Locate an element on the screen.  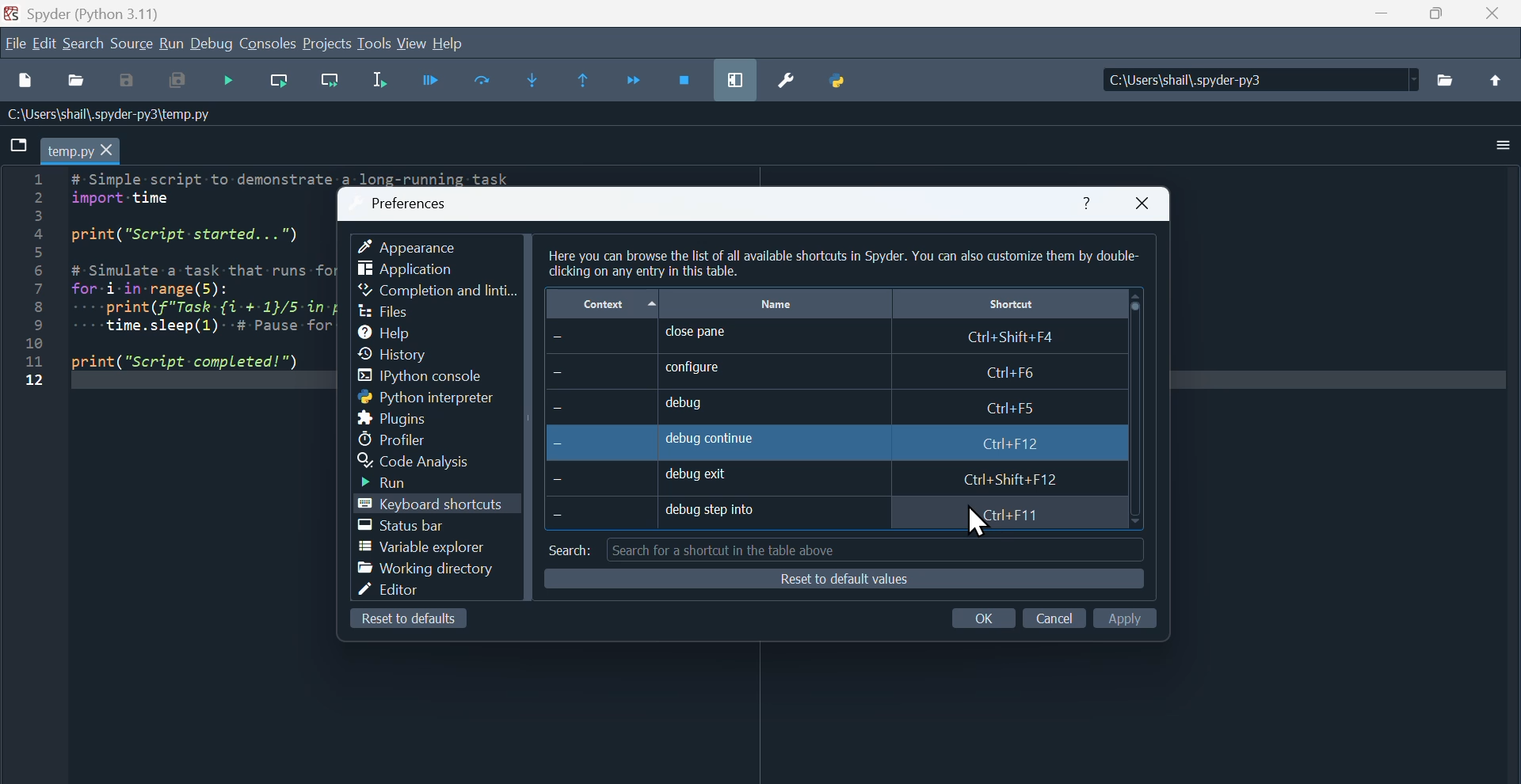
Run current cell is located at coordinates (483, 81).